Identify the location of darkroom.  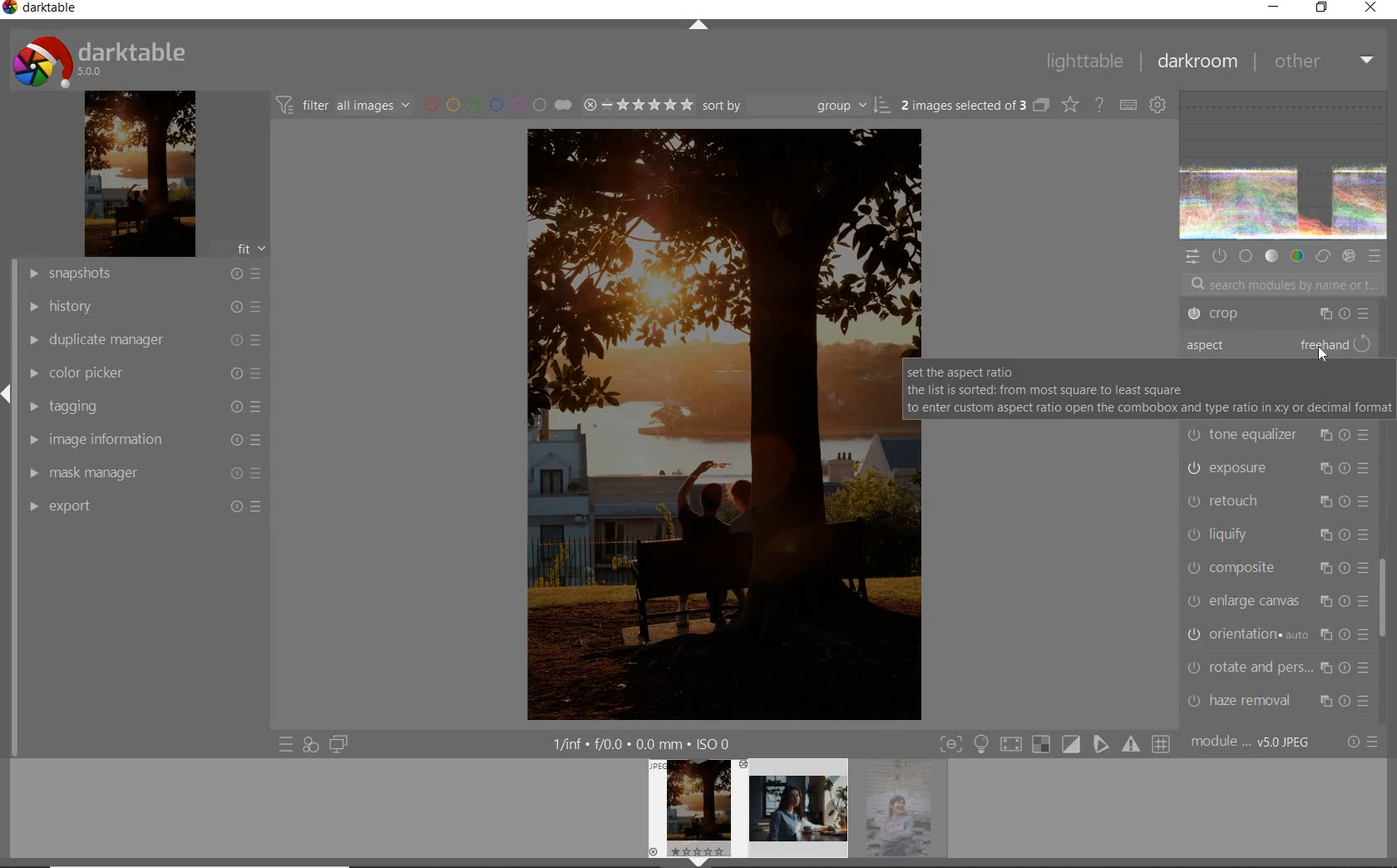
(1197, 62).